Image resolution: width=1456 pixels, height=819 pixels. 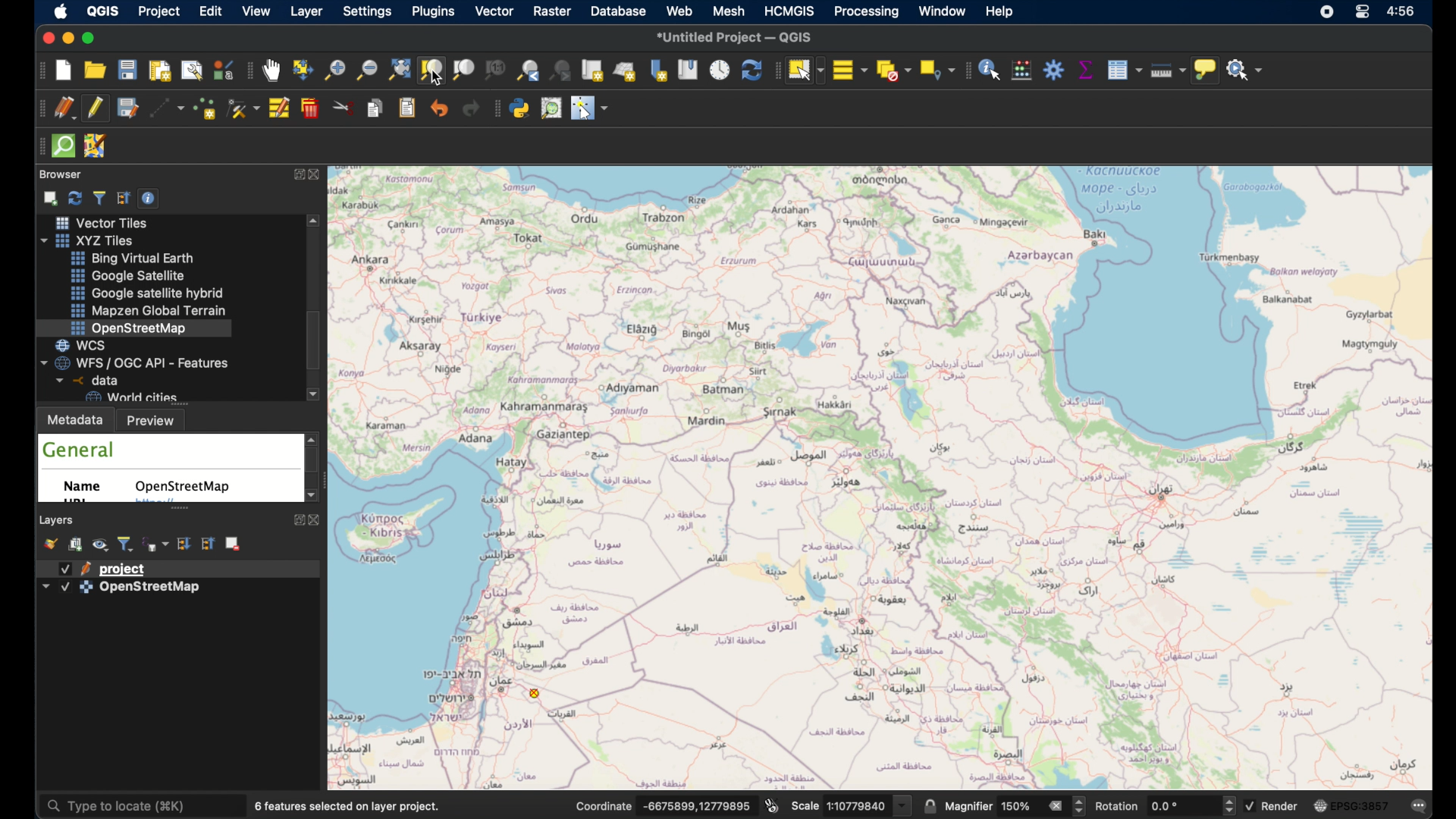 What do you see at coordinates (525, 70) in the screenshot?
I see `zoom last` at bounding box center [525, 70].